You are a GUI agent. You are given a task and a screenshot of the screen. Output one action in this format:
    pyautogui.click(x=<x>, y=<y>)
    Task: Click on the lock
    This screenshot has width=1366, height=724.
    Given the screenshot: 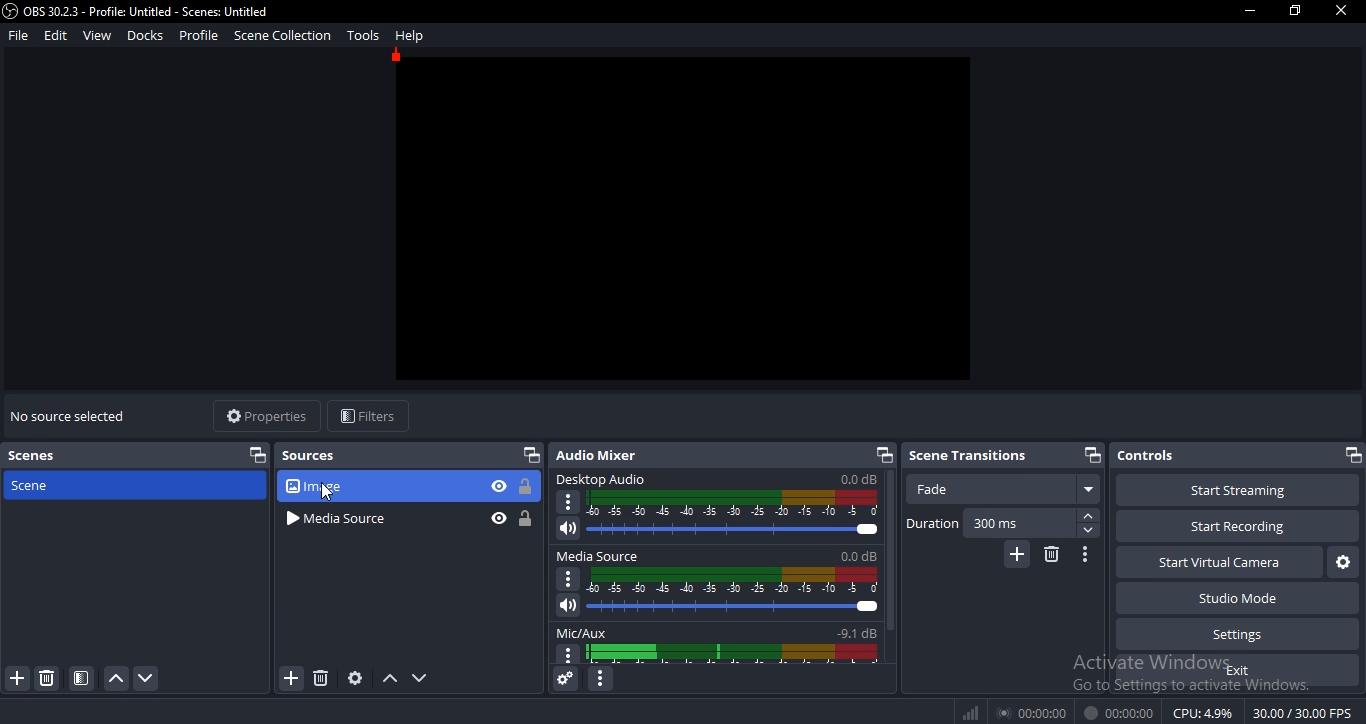 What is the action you would take?
    pyautogui.click(x=522, y=487)
    